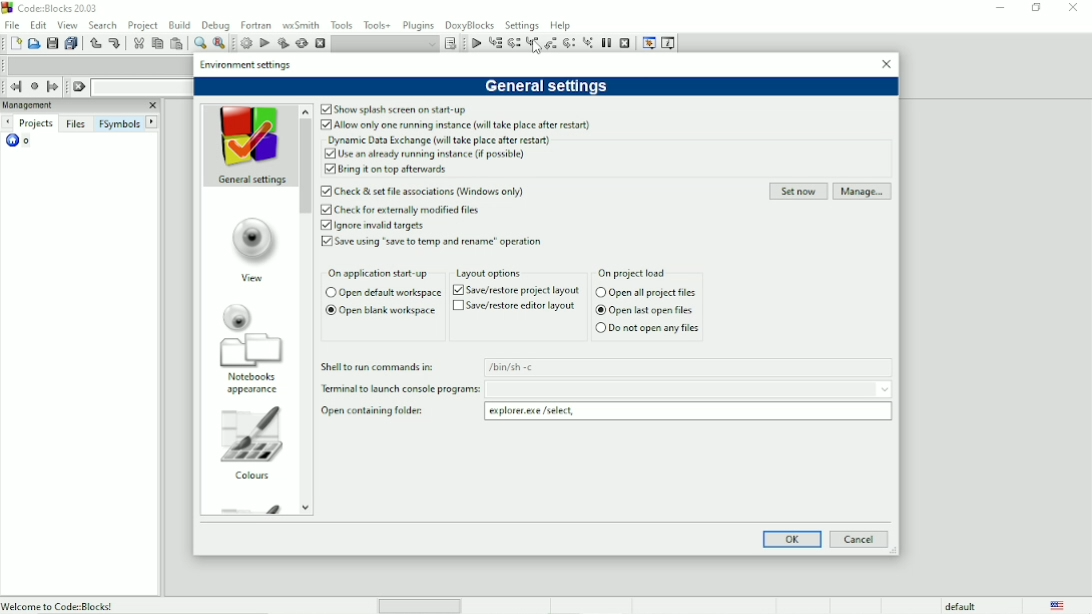 Image resolution: width=1092 pixels, height=614 pixels. Describe the element at coordinates (301, 25) in the screenshot. I see `wxSmith` at that location.